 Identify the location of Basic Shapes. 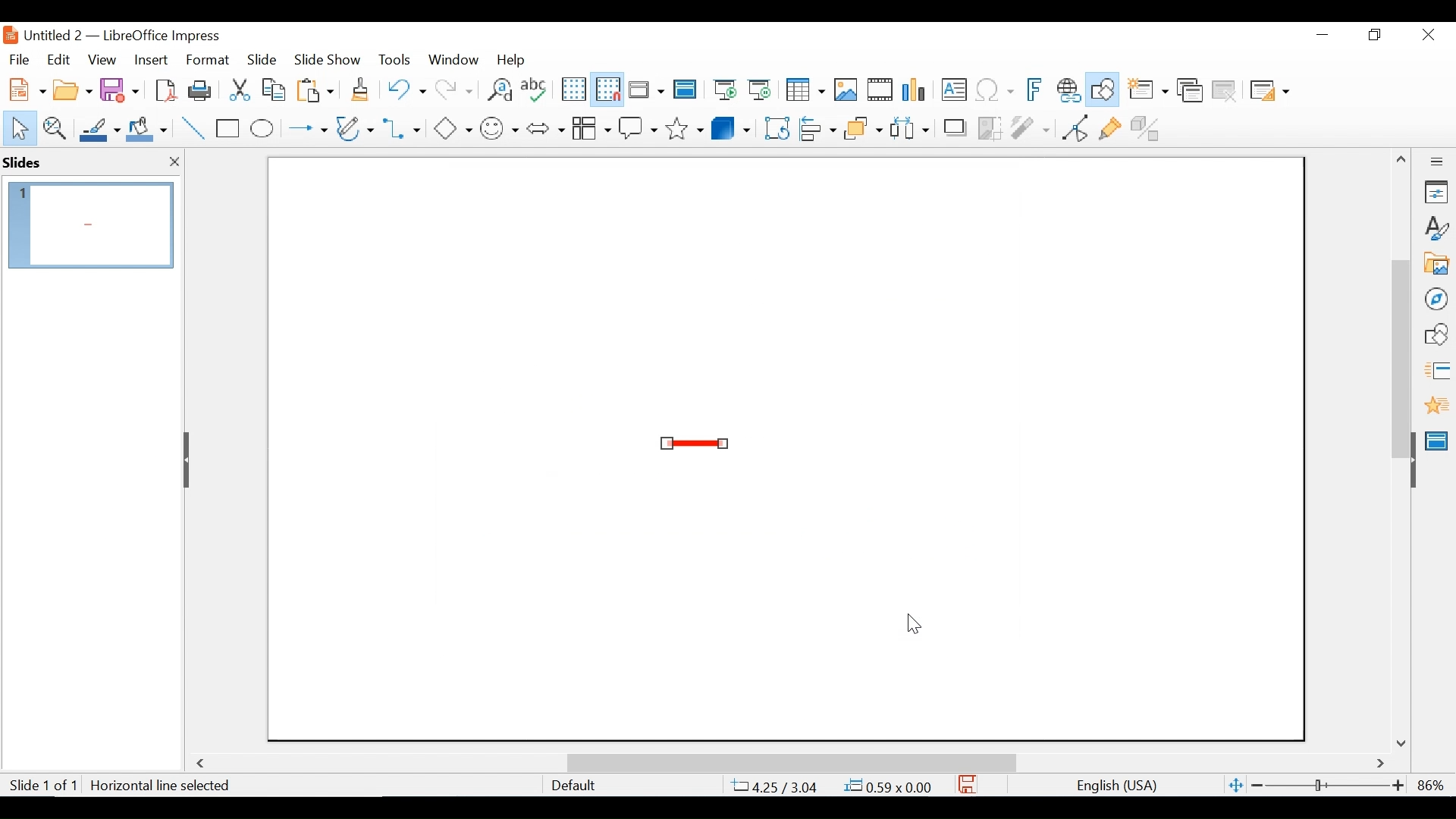
(452, 127).